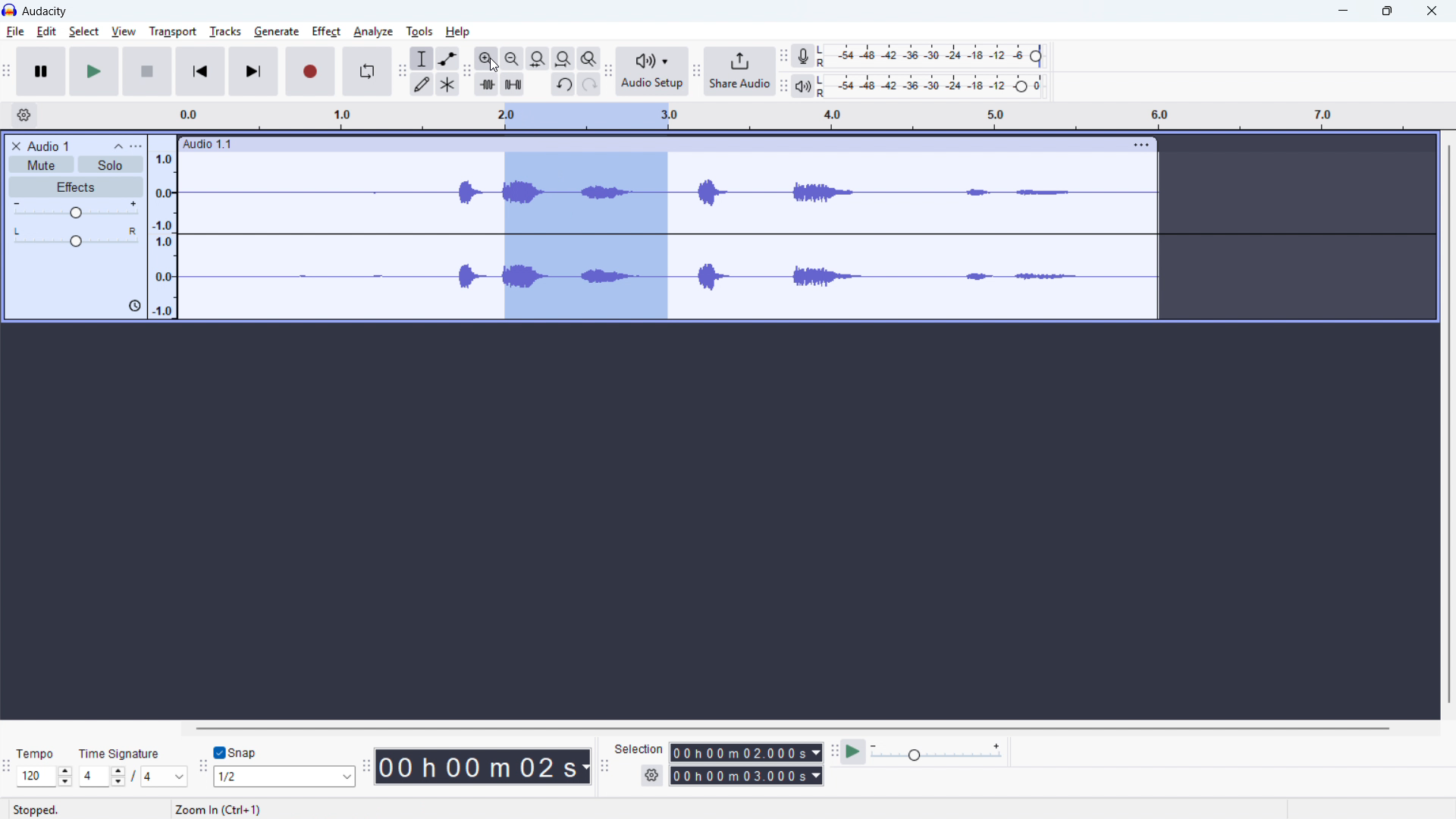  What do you see at coordinates (467, 73) in the screenshot?
I see `Edit toolbar` at bounding box center [467, 73].